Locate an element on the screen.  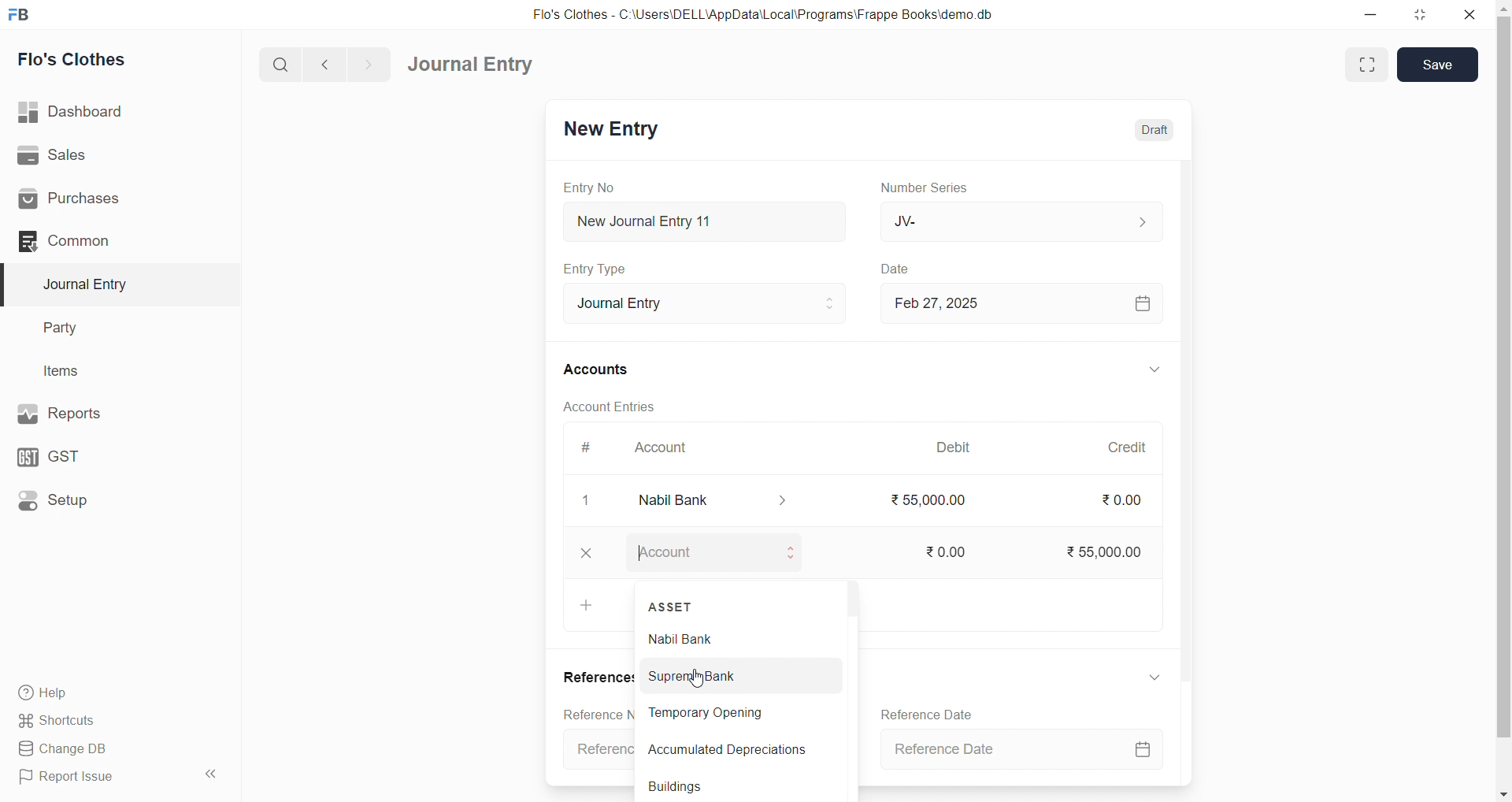
JV- is located at coordinates (1028, 219).